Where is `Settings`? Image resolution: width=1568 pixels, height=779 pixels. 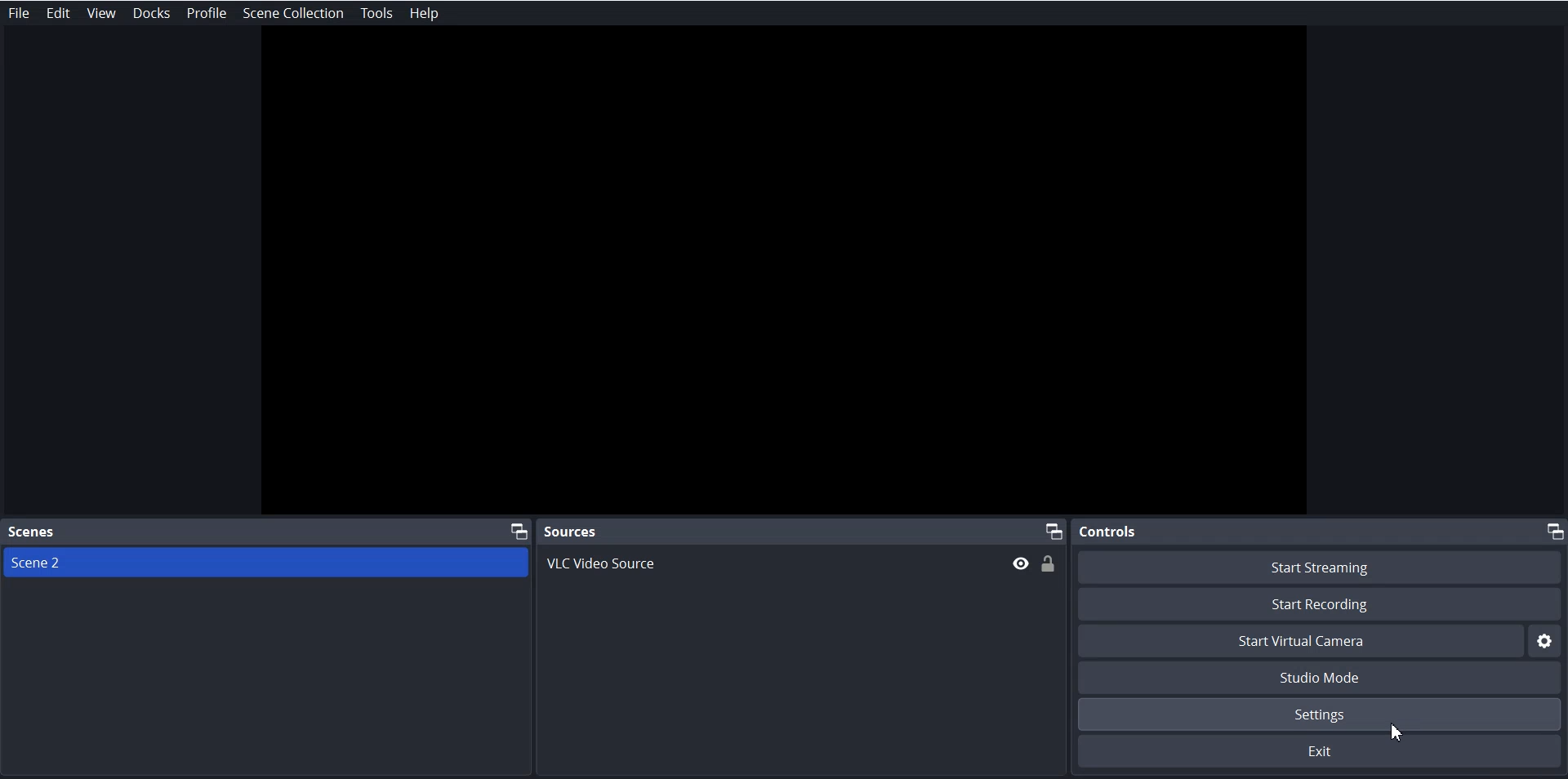 Settings is located at coordinates (1322, 714).